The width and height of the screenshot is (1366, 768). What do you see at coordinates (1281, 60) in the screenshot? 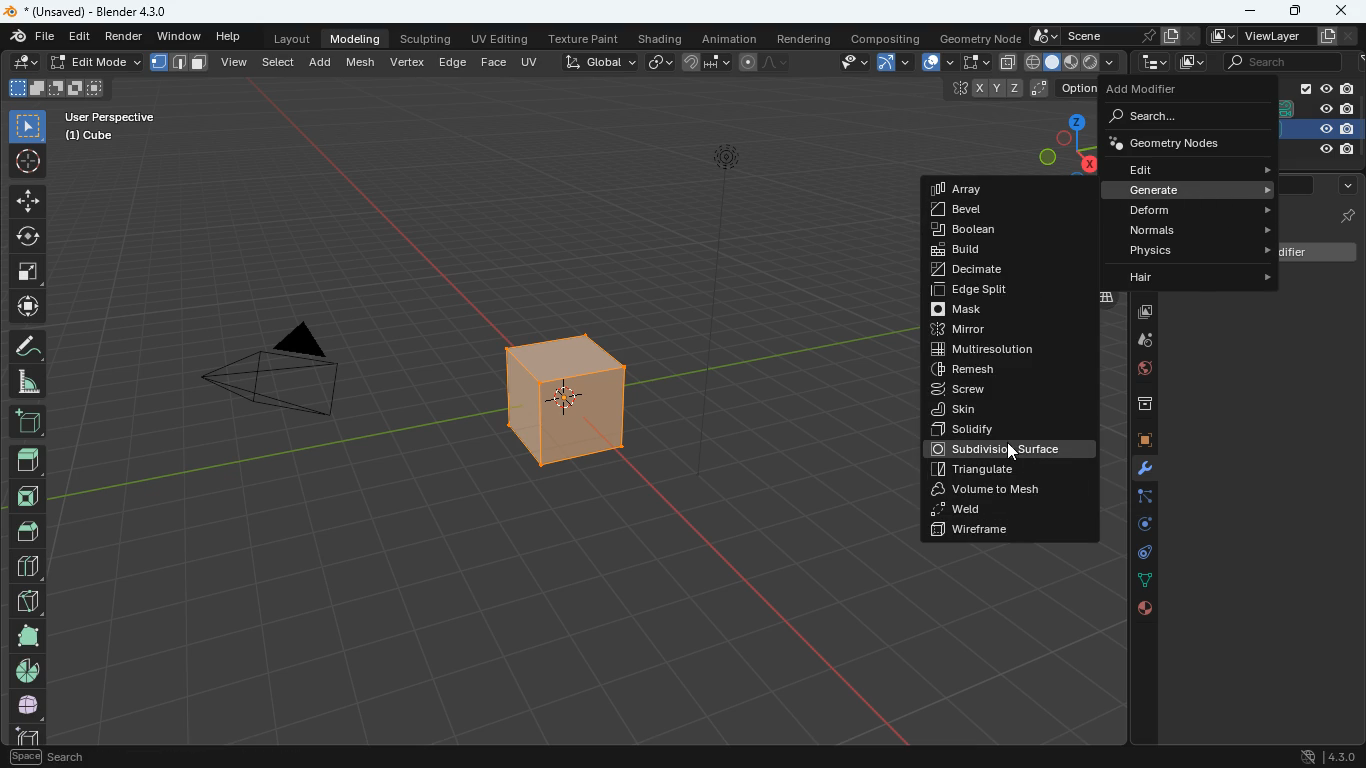
I see `scene` at bounding box center [1281, 60].